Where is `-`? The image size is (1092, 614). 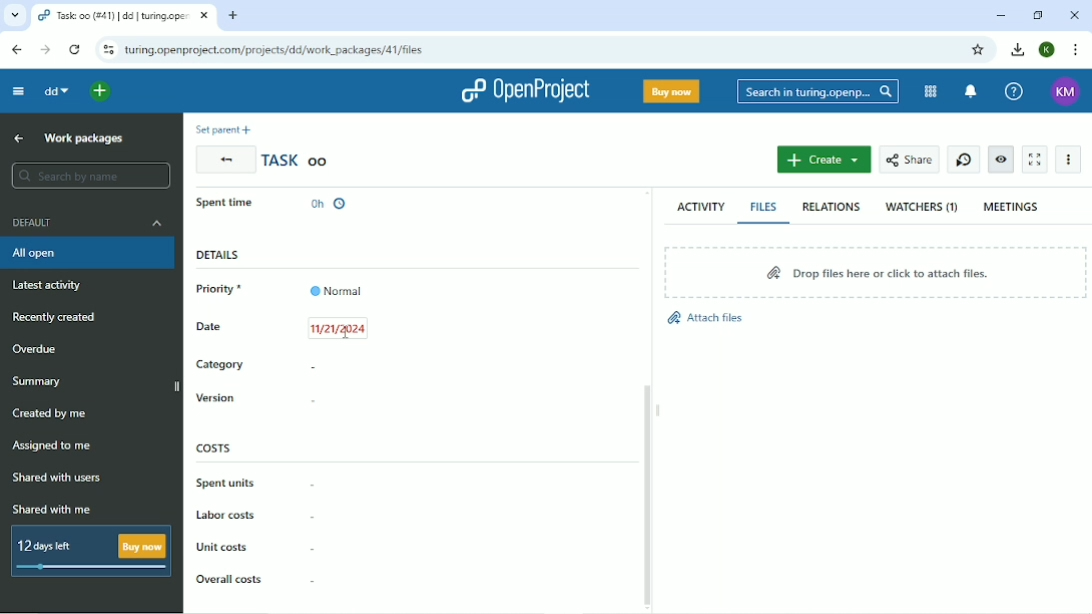 - is located at coordinates (313, 581).